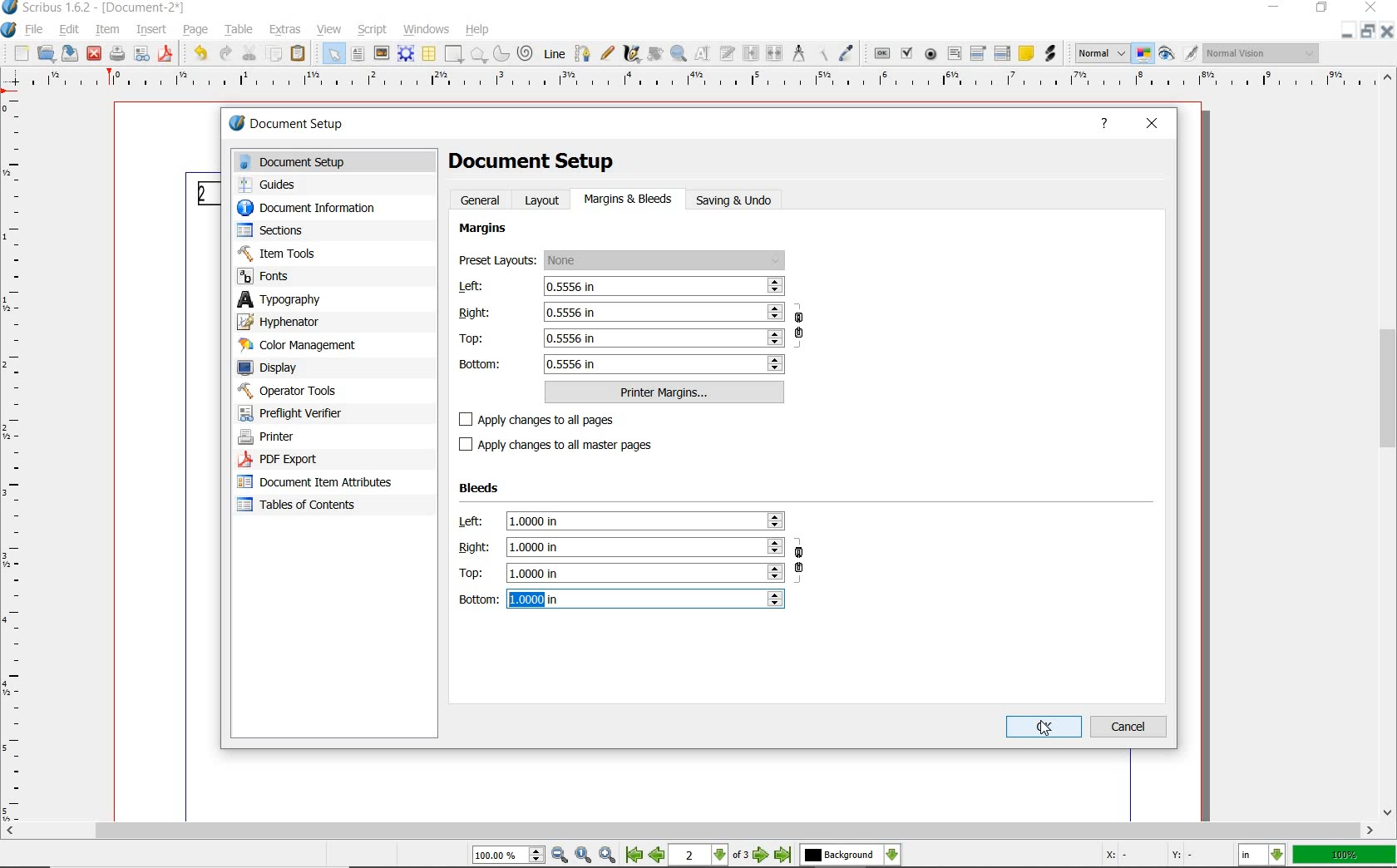  Describe the element at coordinates (274, 186) in the screenshot. I see `guides` at that location.